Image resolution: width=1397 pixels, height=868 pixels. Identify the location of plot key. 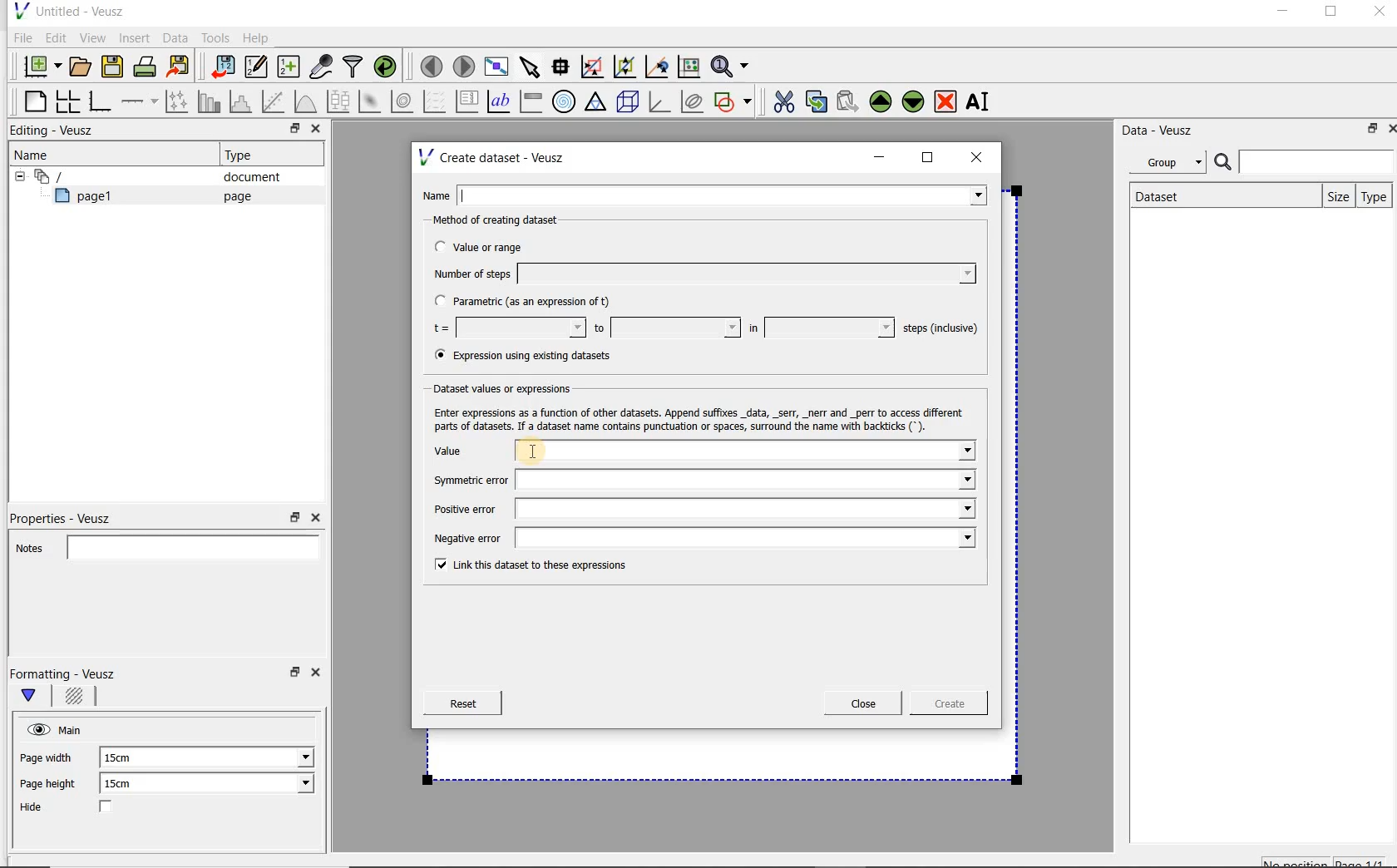
(468, 101).